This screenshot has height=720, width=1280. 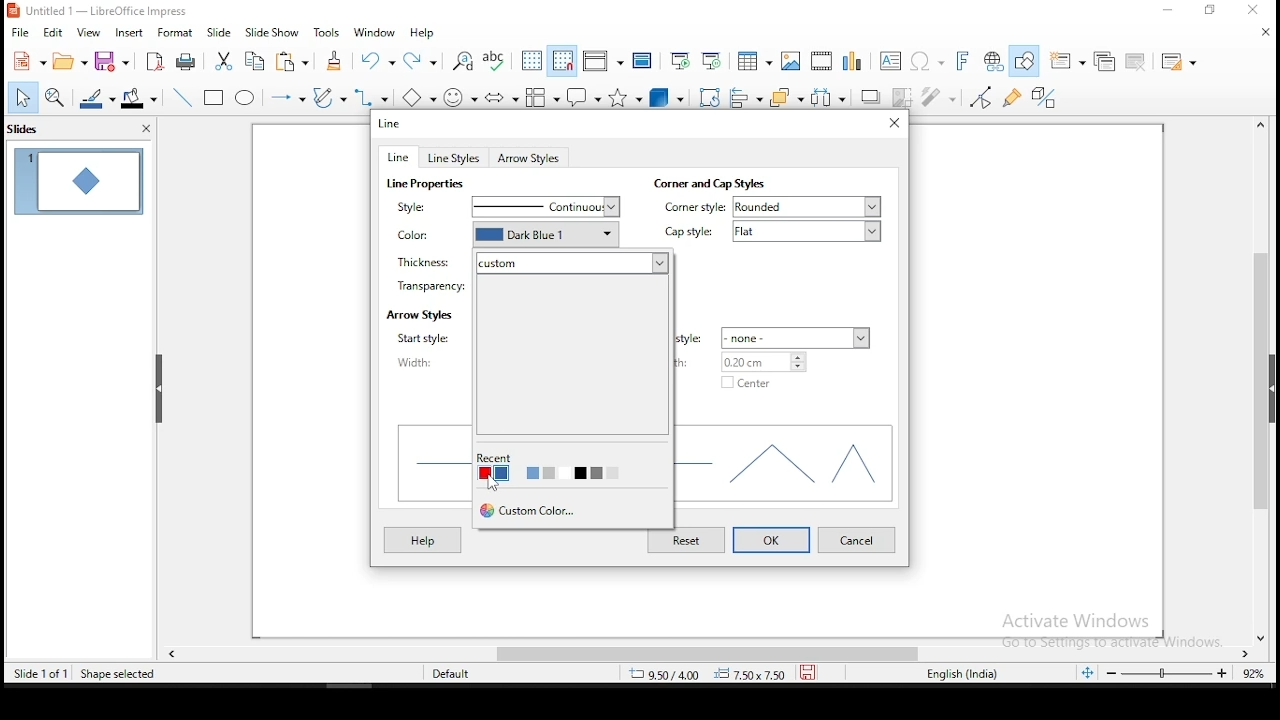 I want to click on custom, so click(x=575, y=264).